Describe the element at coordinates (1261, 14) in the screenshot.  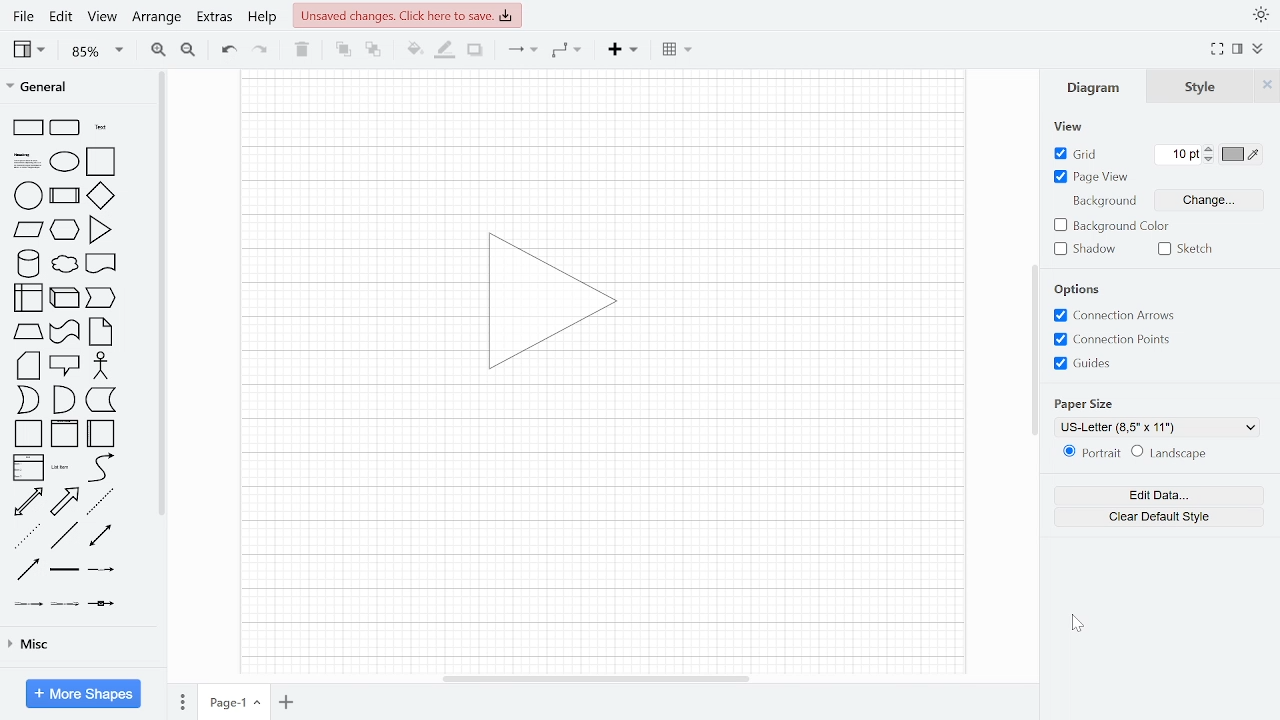
I see `Indicates theme change option` at that location.